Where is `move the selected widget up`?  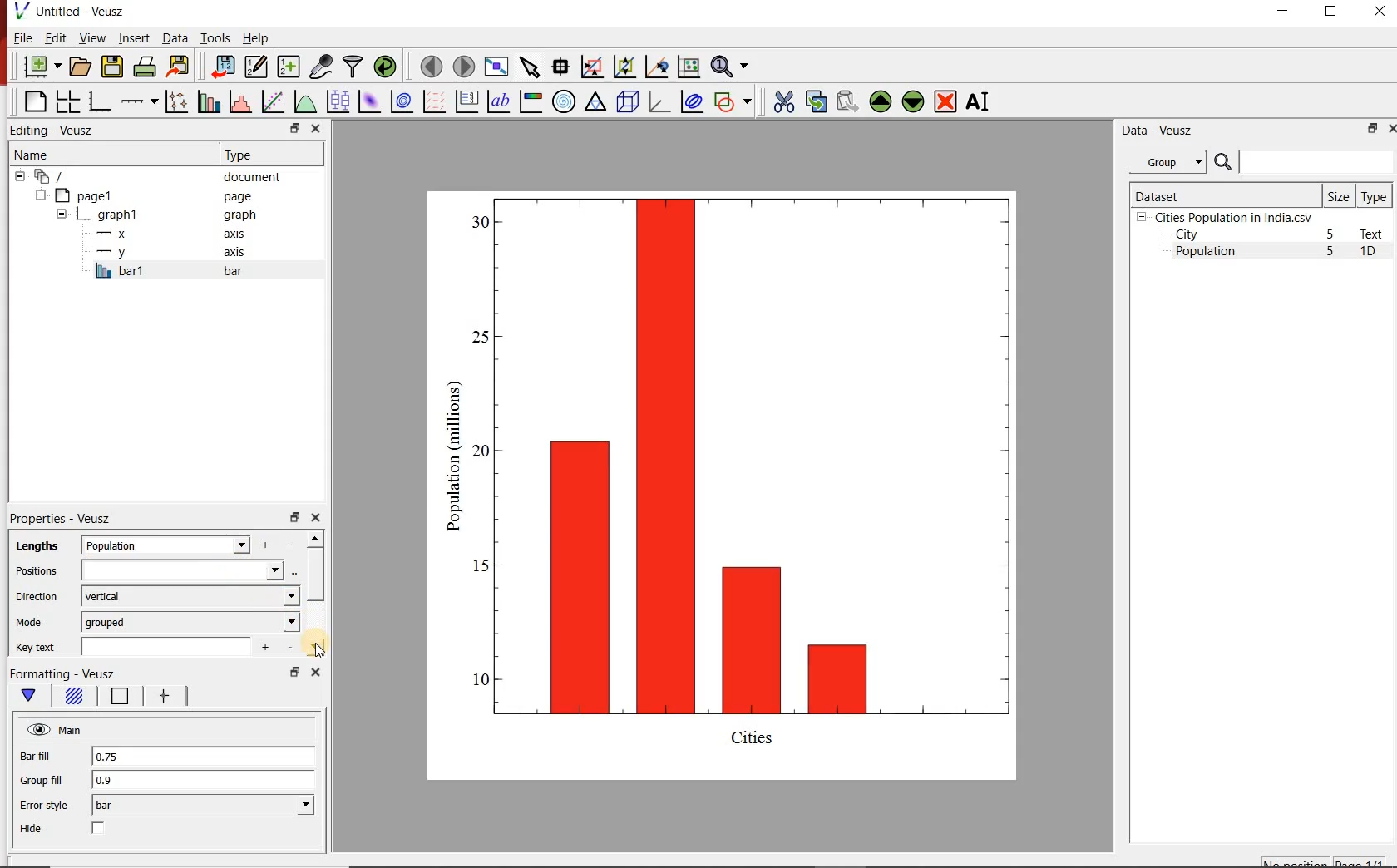
move the selected widget up is located at coordinates (881, 101).